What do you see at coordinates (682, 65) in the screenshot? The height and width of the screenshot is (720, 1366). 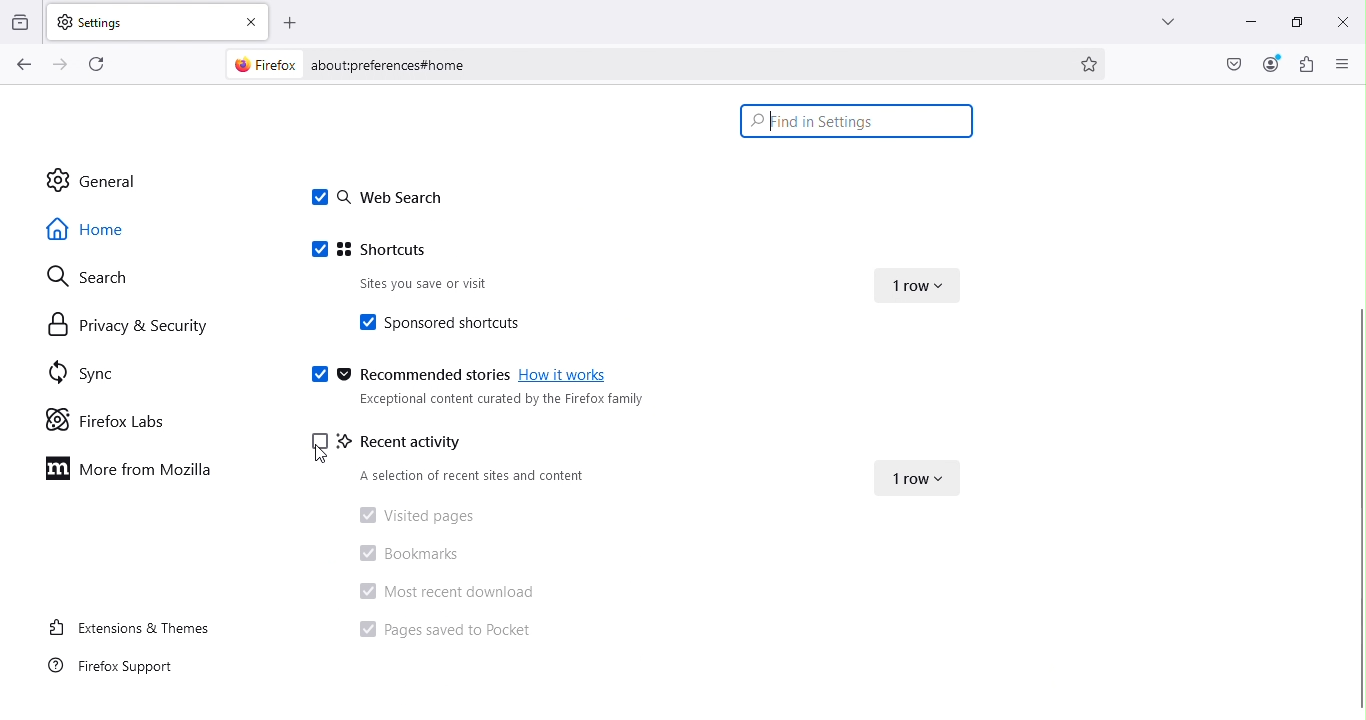 I see `Search bar` at bounding box center [682, 65].